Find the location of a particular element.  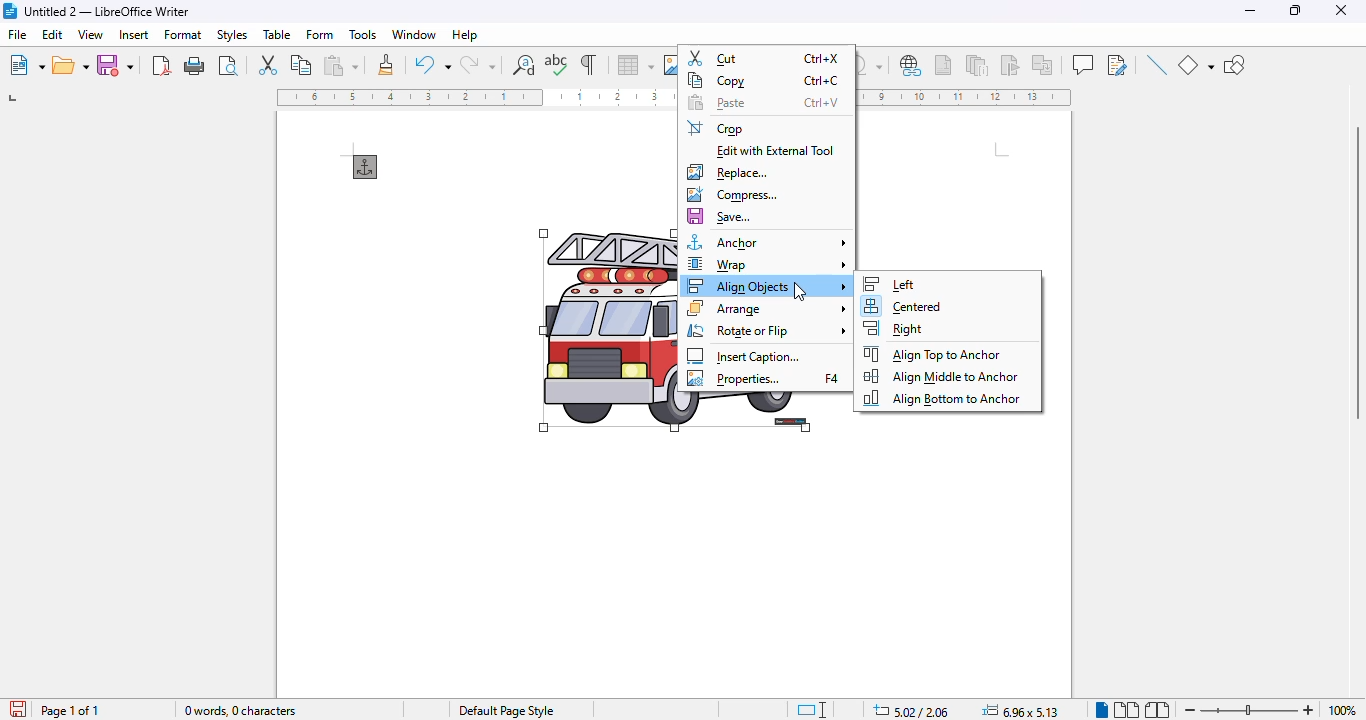

insert bookmark is located at coordinates (1009, 65).